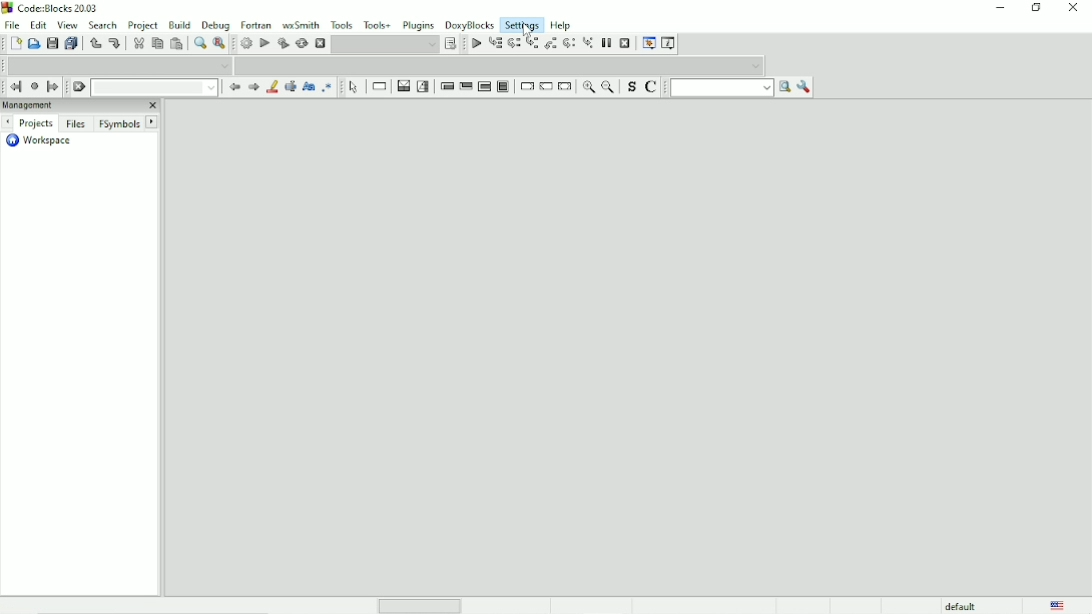  Describe the element at coordinates (331, 87) in the screenshot. I see `Use regex` at that location.